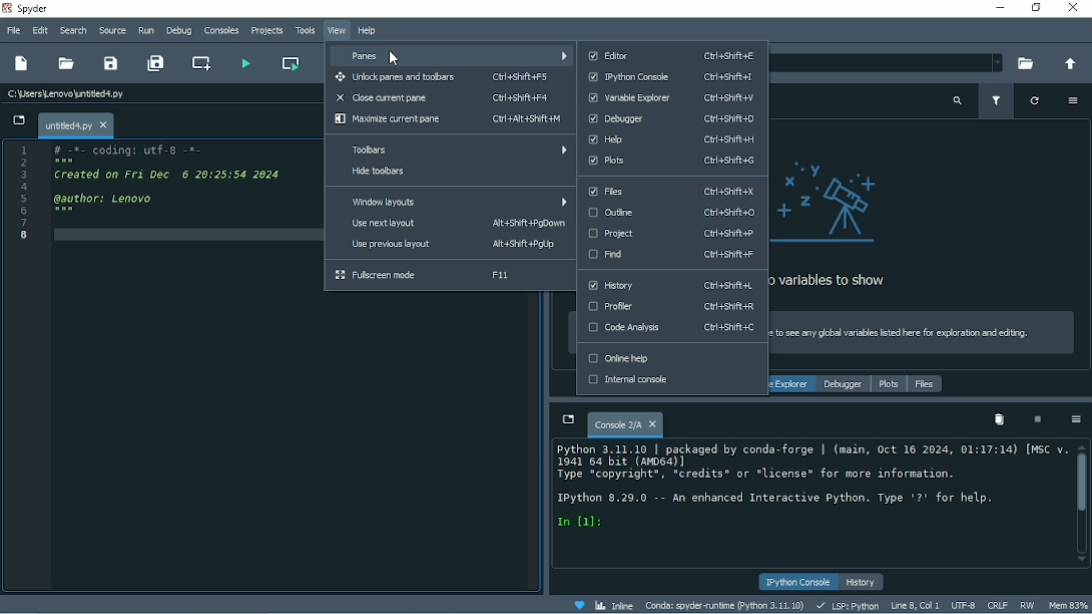  Describe the element at coordinates (1070, 64) in the screenshot. I see `Change to parent directory` at that location.